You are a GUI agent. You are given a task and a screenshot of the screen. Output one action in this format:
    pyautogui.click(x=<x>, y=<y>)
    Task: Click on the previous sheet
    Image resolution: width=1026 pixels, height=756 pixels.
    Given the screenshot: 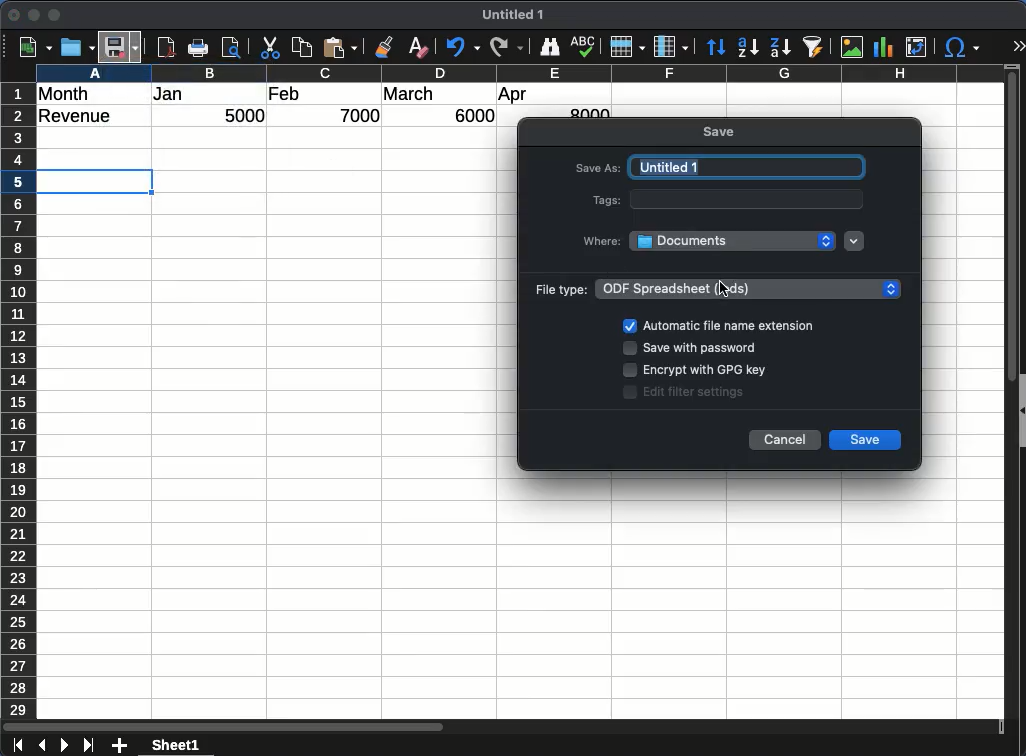 What is the action you would take?
    pyautogui.click(x=40, y=746)
    